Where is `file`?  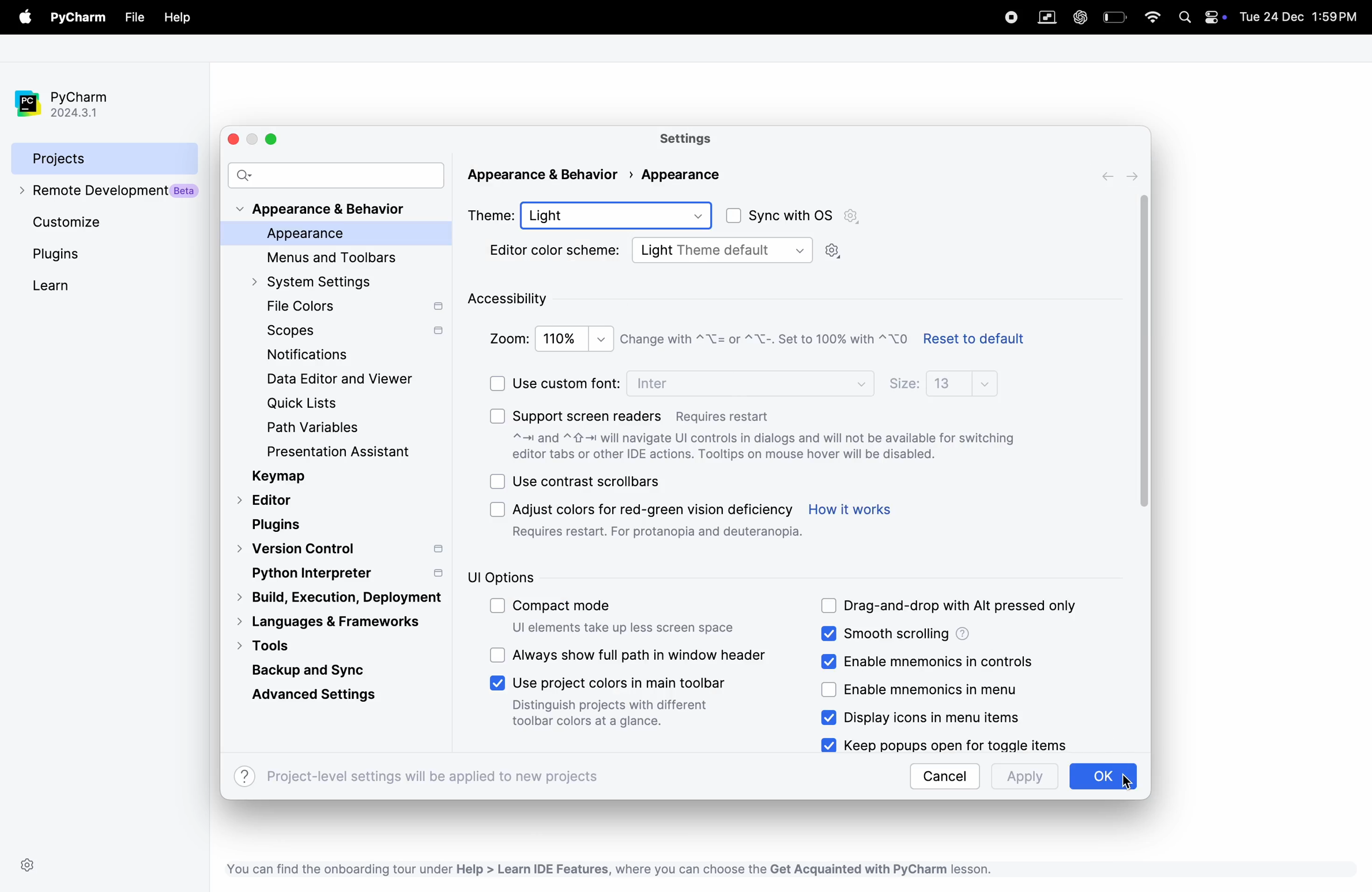
file is located at coordinates (177, 18).